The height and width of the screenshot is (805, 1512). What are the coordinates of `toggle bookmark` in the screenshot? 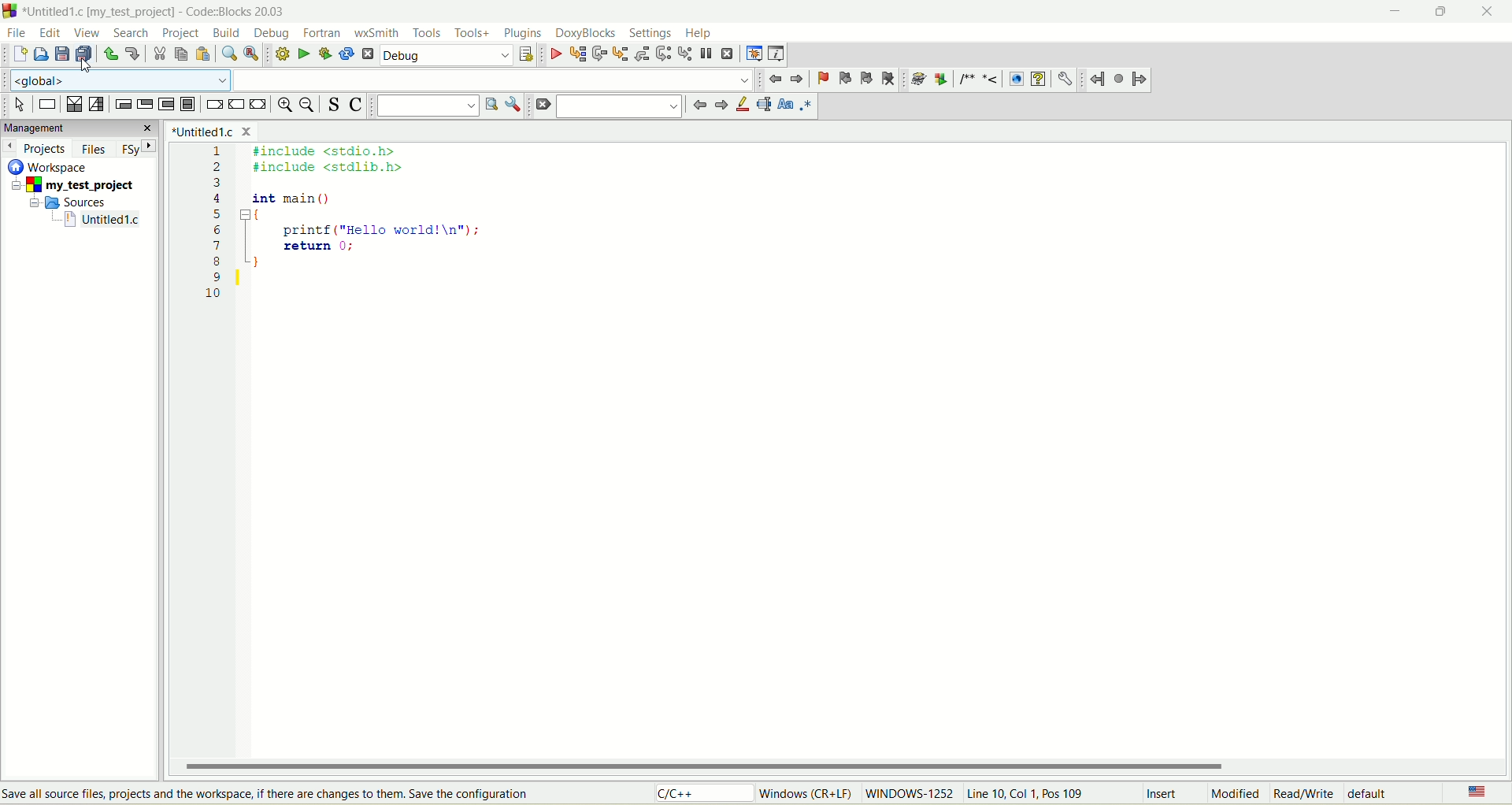 It's located at (820, 80).